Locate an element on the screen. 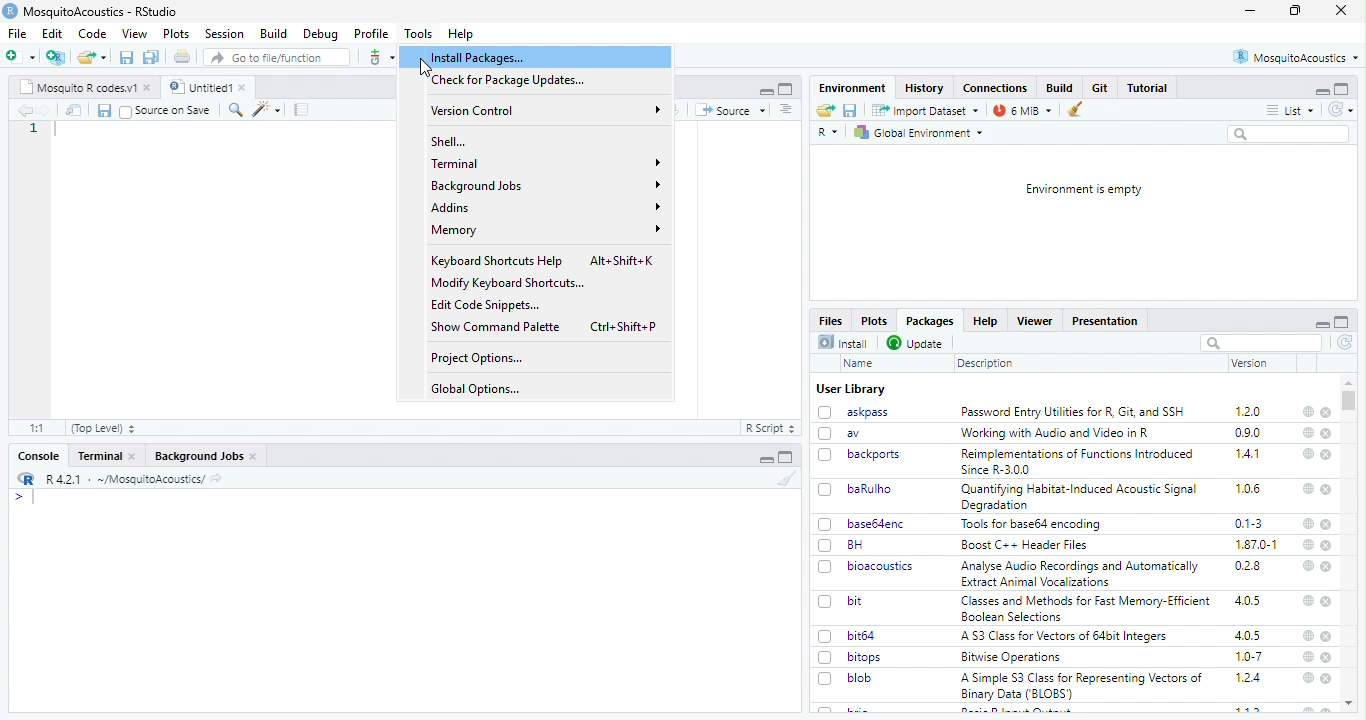  bioacoustics is located at coordinates (883, 567).